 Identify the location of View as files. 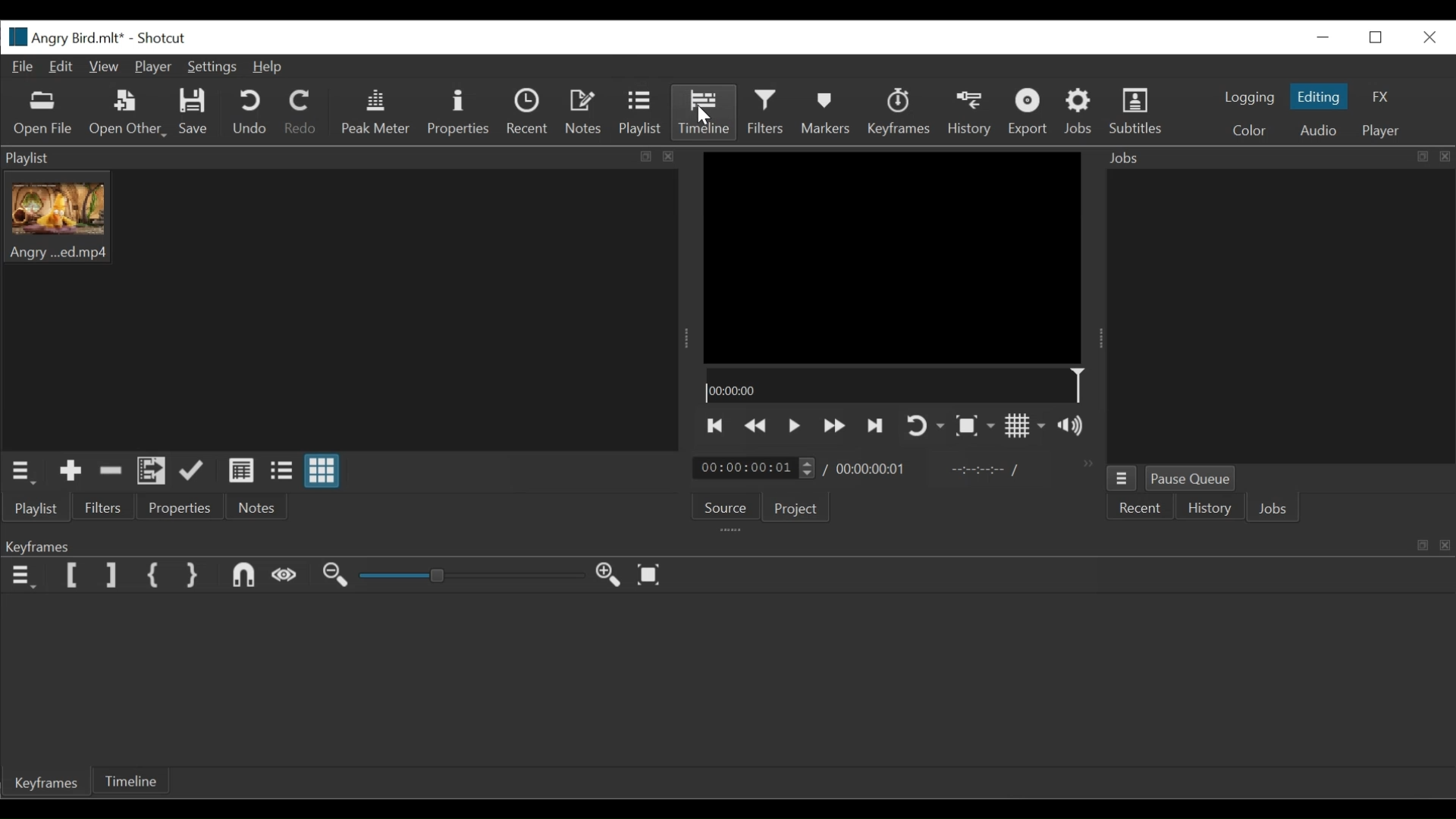
(281, 472).